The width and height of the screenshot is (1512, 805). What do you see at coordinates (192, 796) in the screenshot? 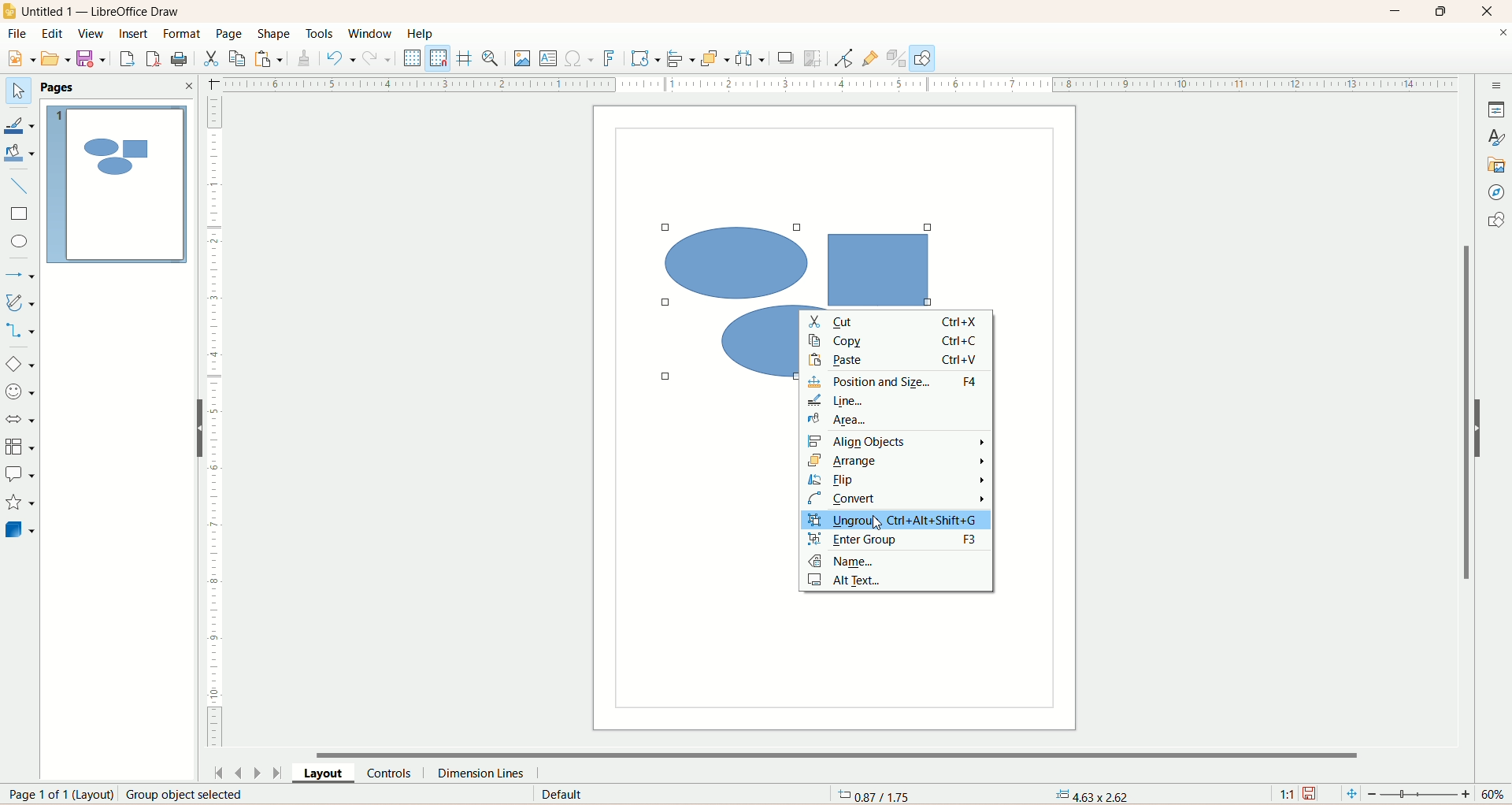
I see `group object selected` at bounding box center [192, 796].